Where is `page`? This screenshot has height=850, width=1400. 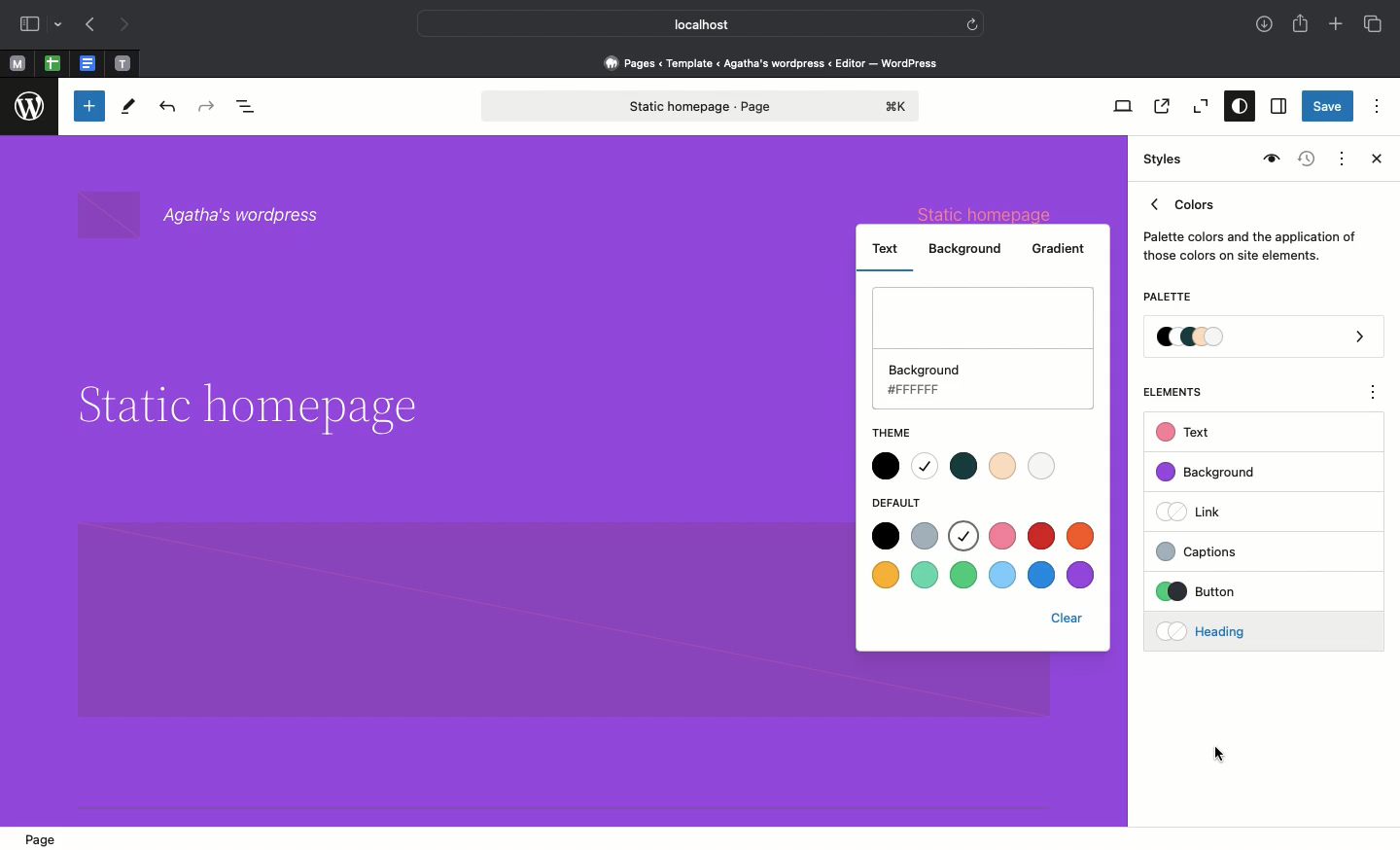
page is located at coordinates (47, 839).